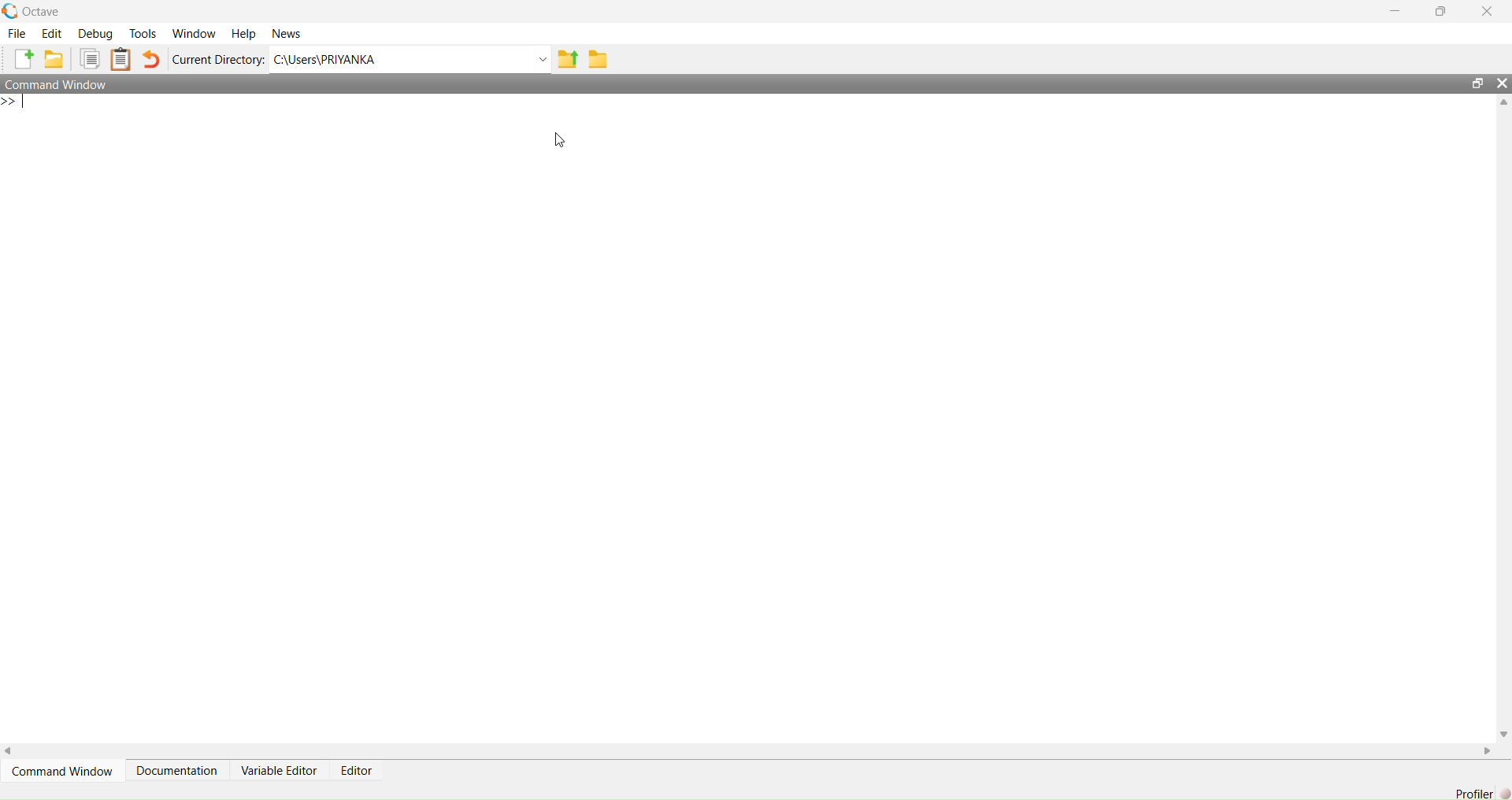 This screenshot has height=800, width=1512. I want to click on close, so click(1488, 10).